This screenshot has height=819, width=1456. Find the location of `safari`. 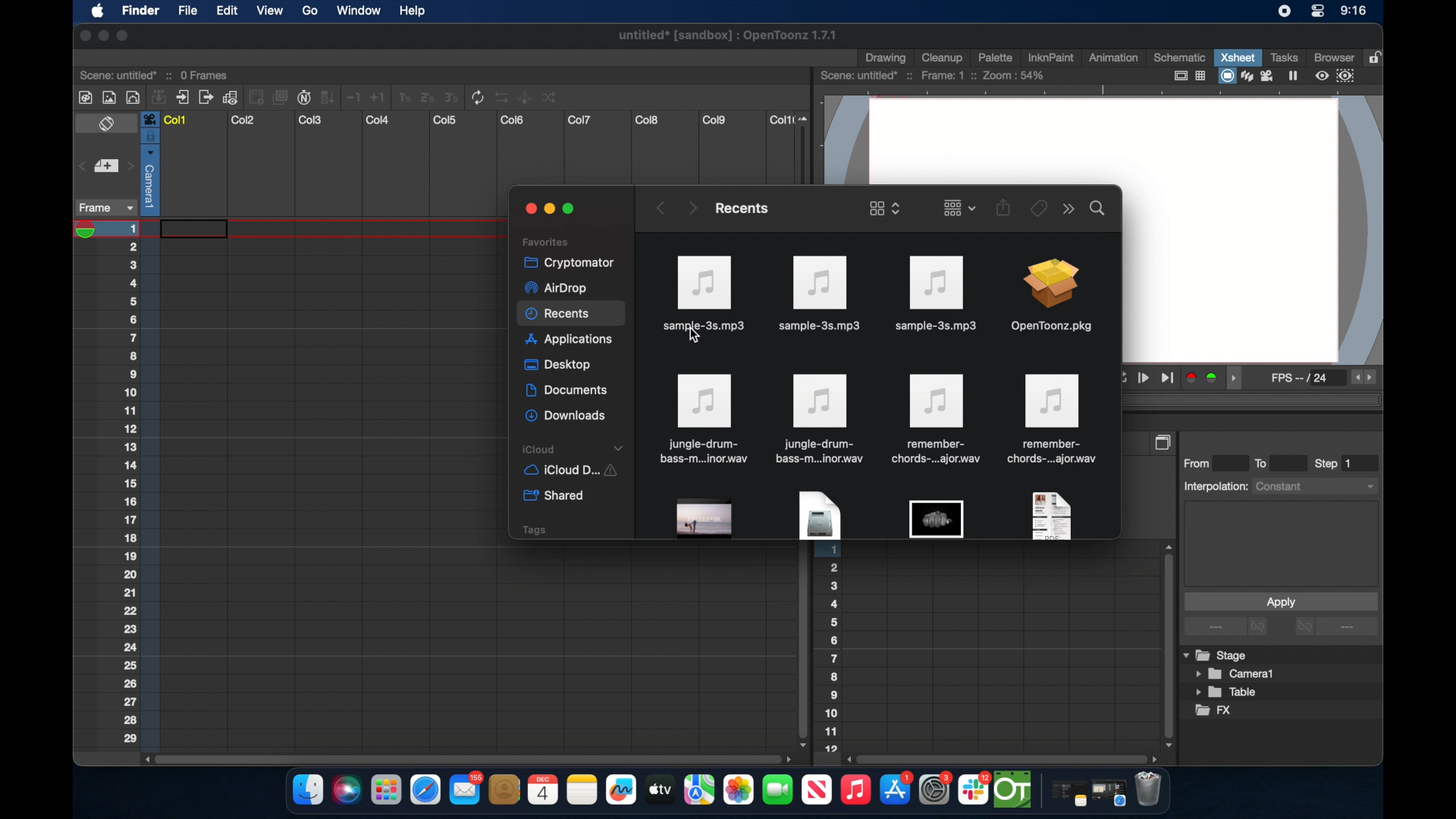

safari is located at coordinates (426, 790).